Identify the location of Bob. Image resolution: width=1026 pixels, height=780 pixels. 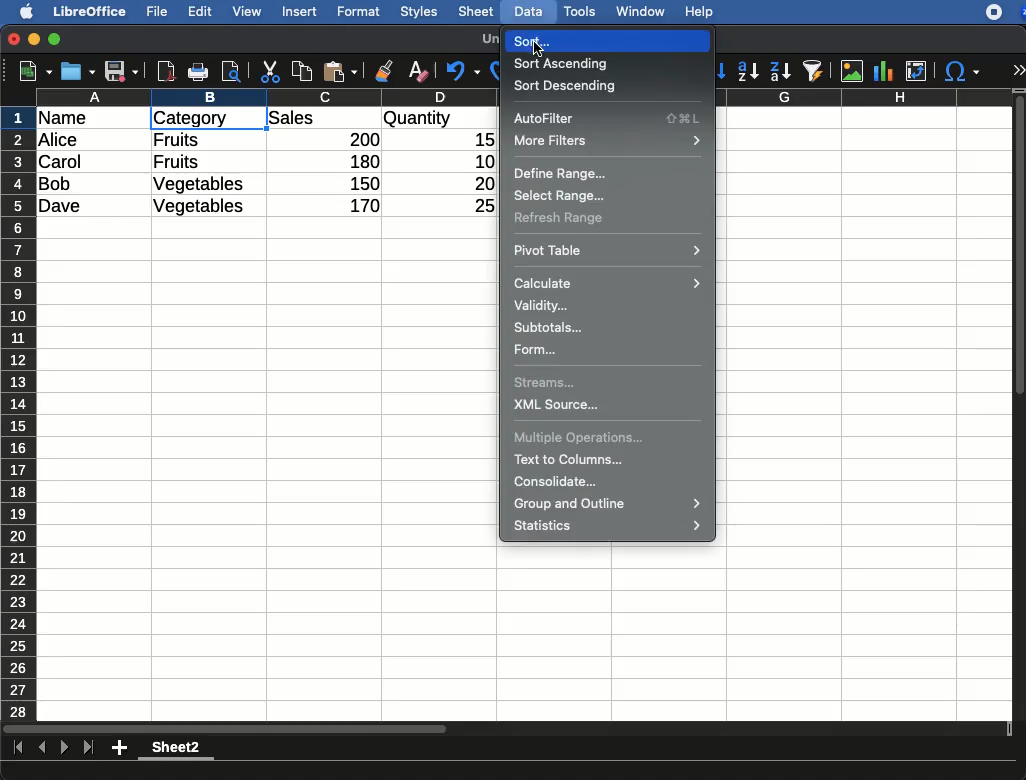
(56, 185).